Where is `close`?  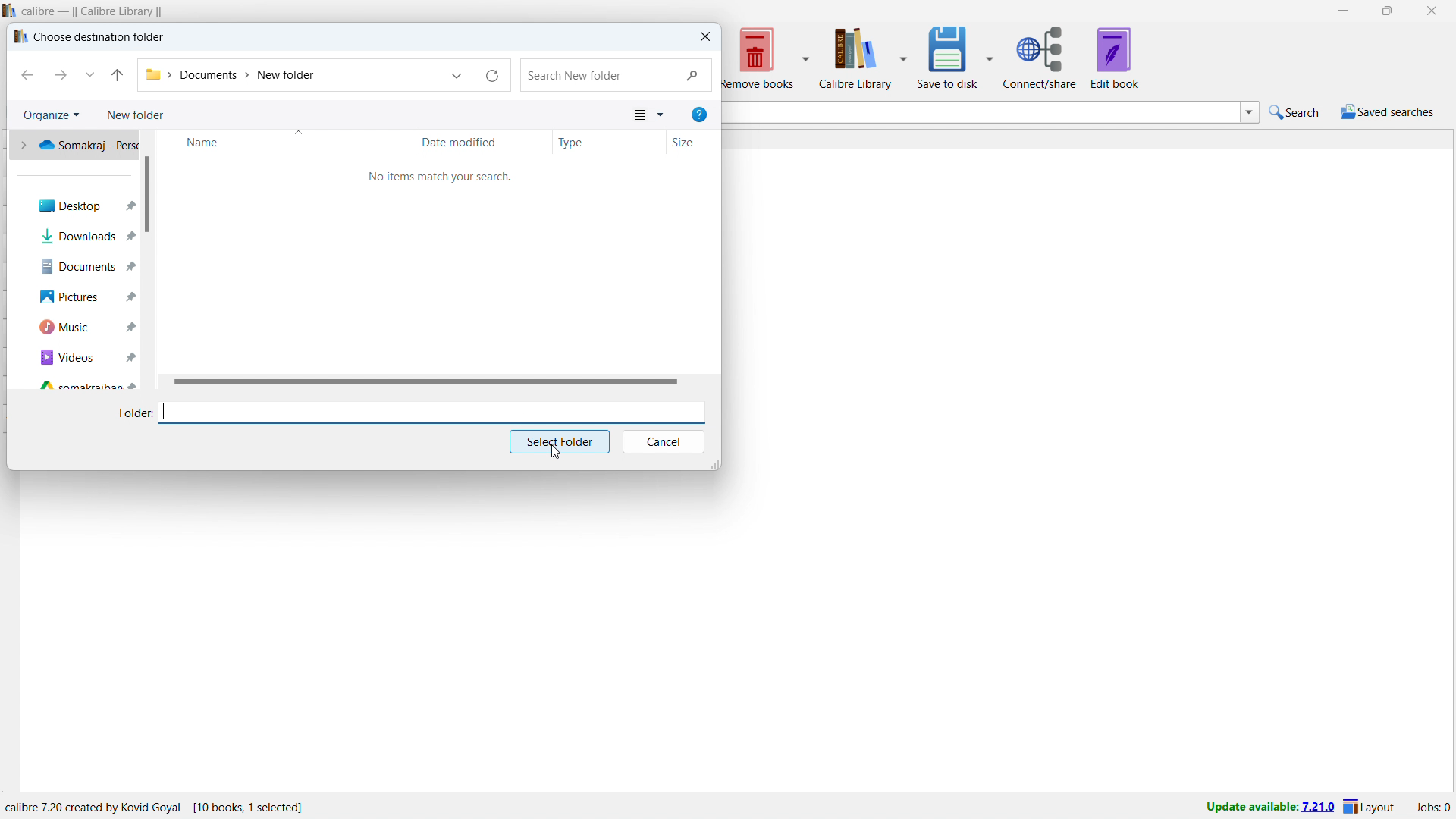
close is located at coordinates (1431, 11).